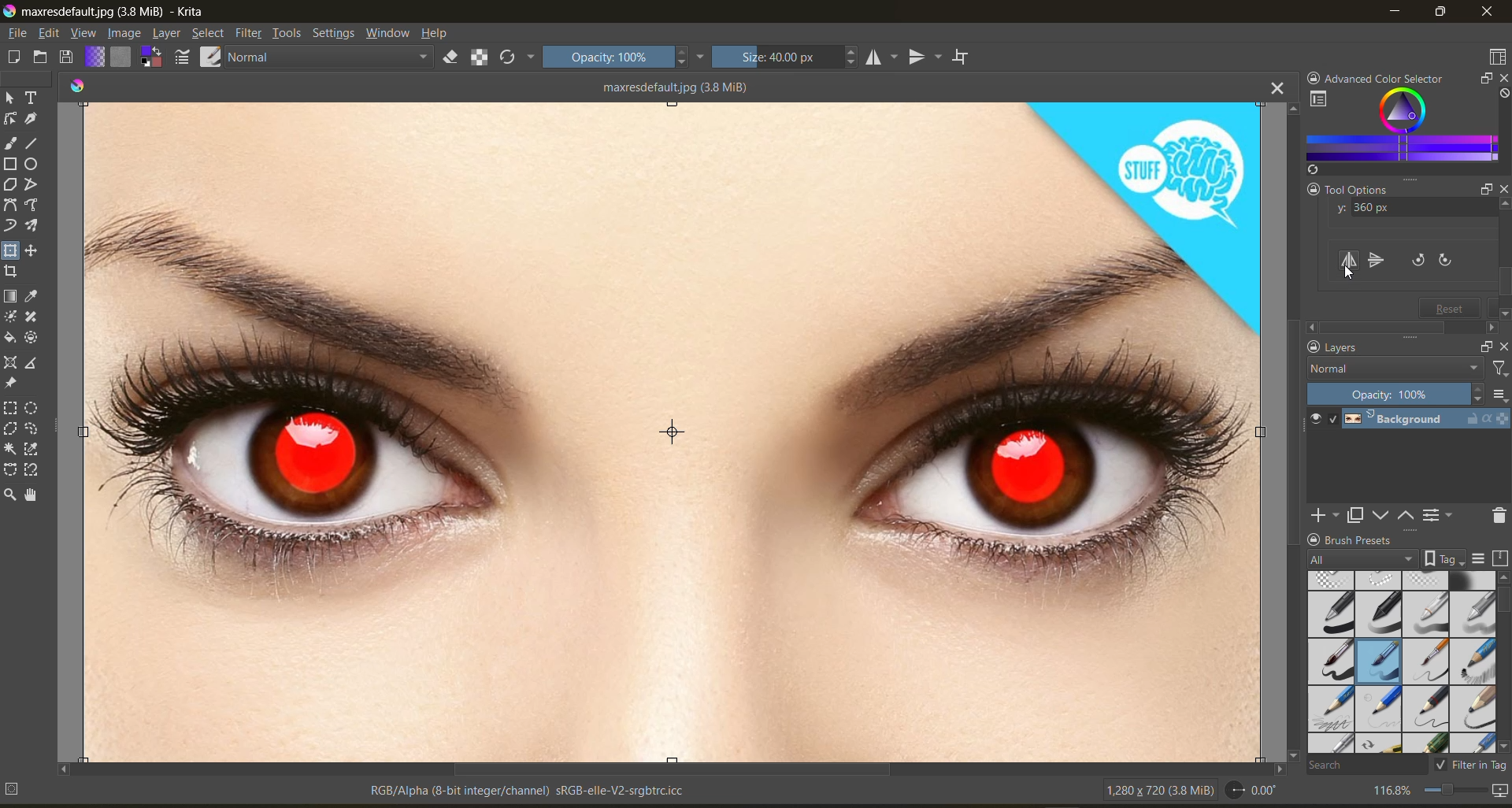 This screenshot has height=808, width=1512. What do you see at coordinates (1273, 90) in the screenshot?
I see `close tab` at bounding box center [1273, 90].